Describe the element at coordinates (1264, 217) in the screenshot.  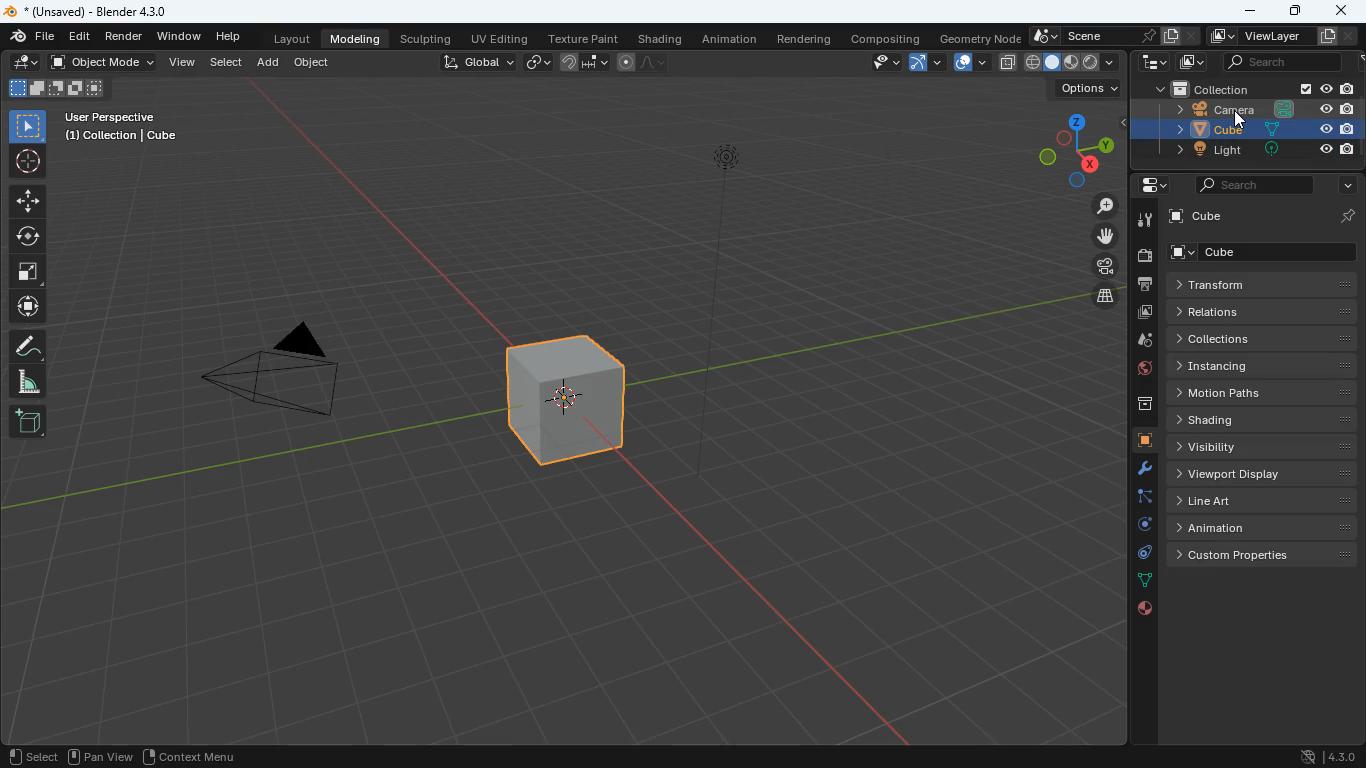
I see `cube` at that location.